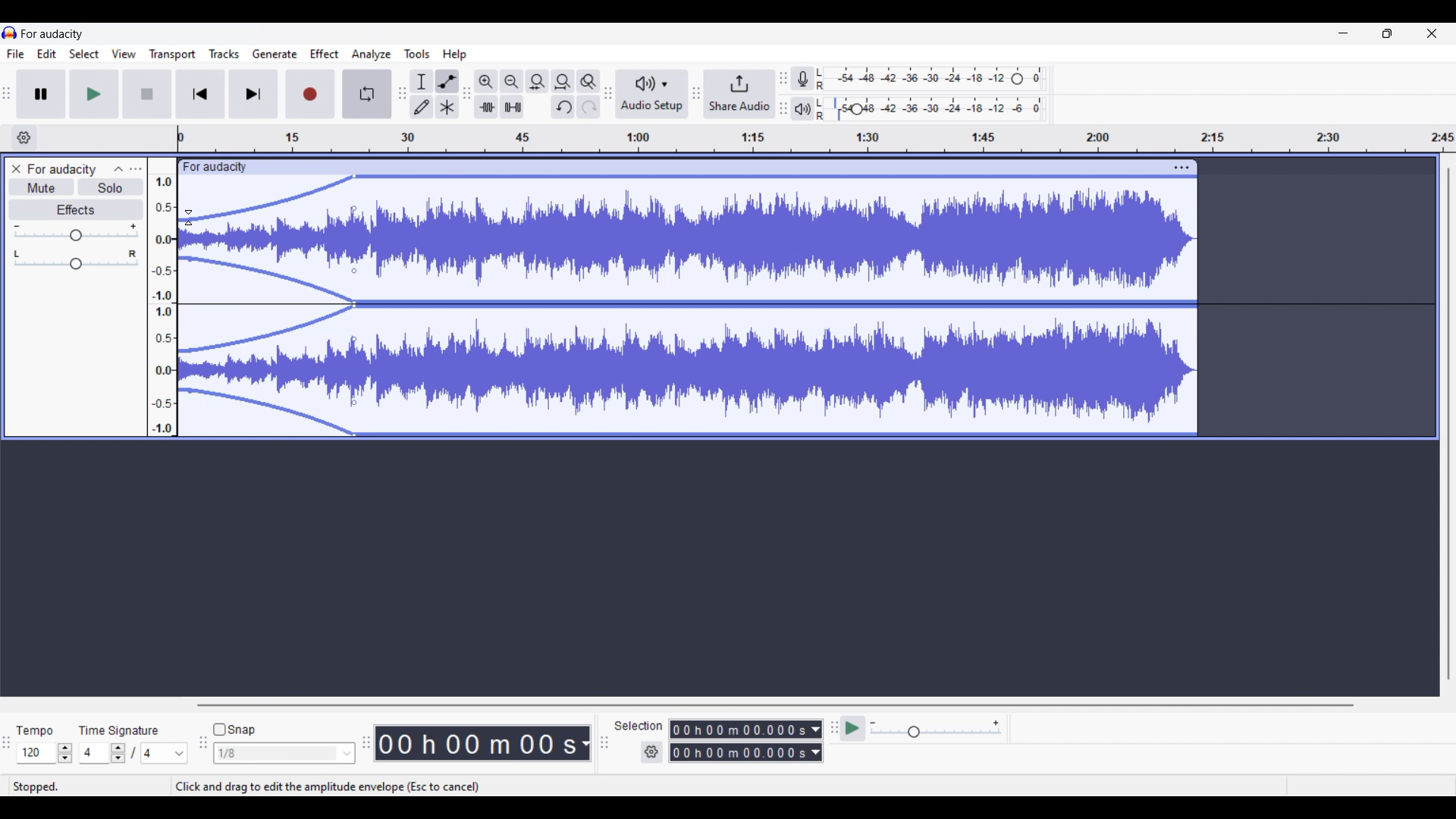  What do you see at coordinates (62, 169) in the screenshot?
I see `for audacity` at bounding box center [62, 169].